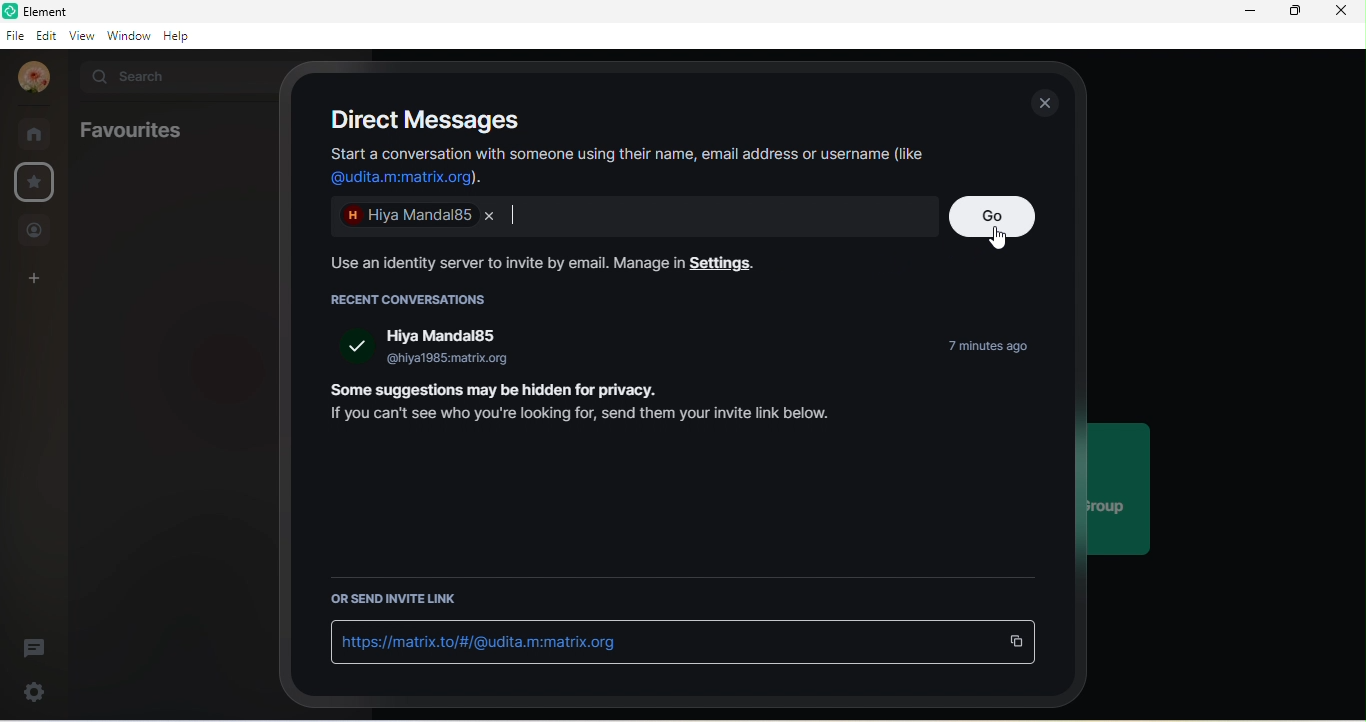  What do you see at coordinates (1290, 11) in the screenshot?
I see `maximize` at bounding box center [1290, 11].